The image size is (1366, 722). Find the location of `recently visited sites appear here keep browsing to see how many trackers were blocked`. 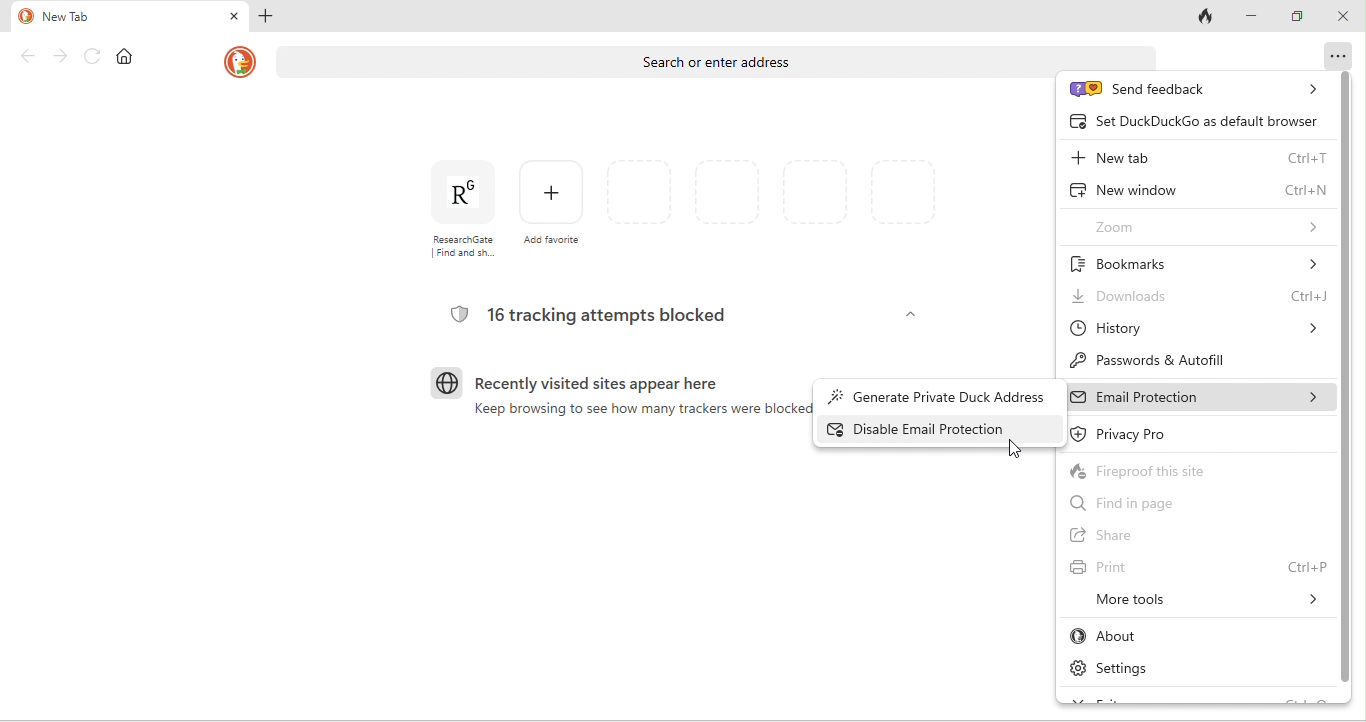

recently visited sites appear here keep browsing to see how many trackers were blocked is located at coordinates (610, 402).